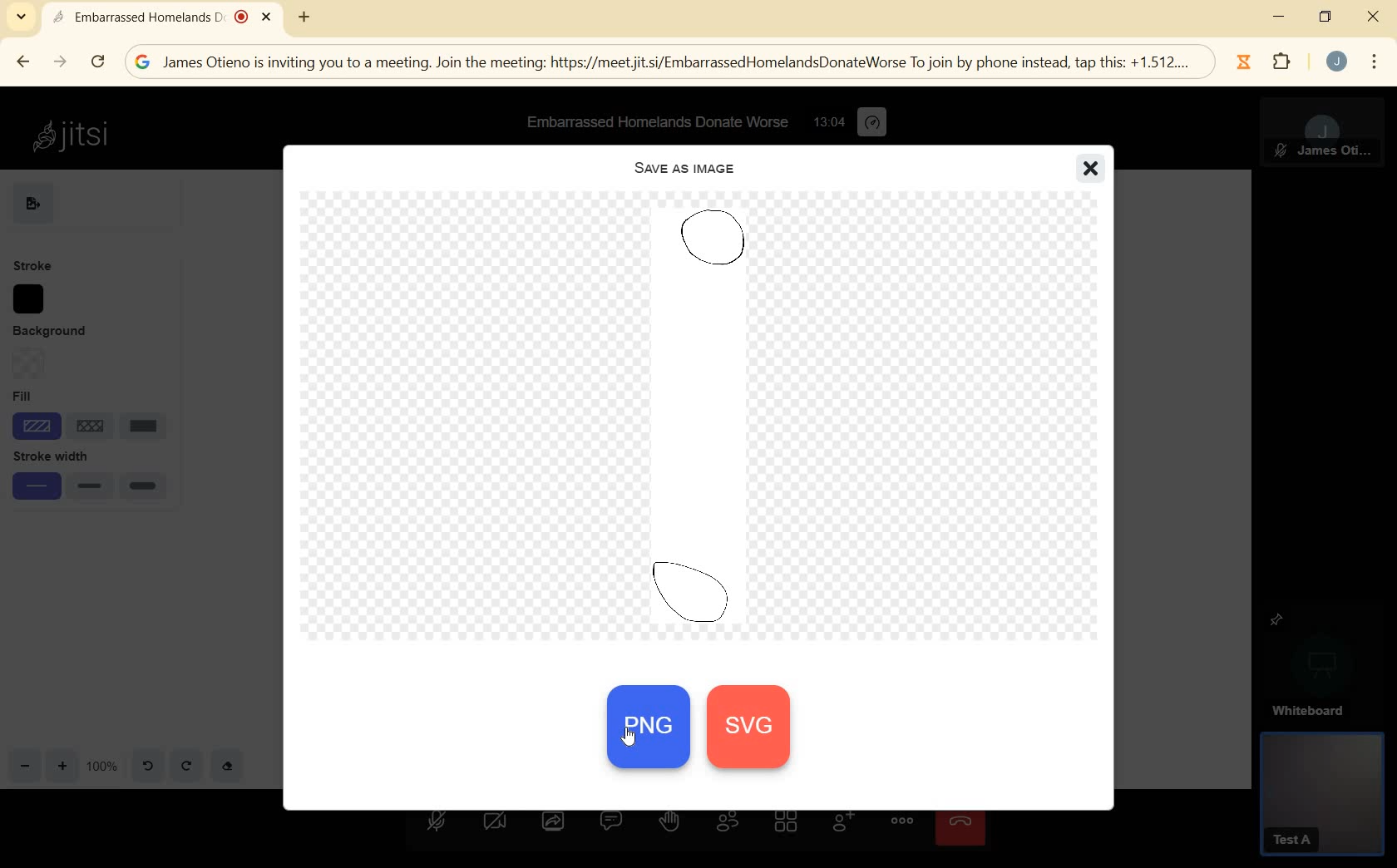  What do you see at coordinates (148, 767) in the screenshot?
I see `undo` at bounding box center [148, 767].